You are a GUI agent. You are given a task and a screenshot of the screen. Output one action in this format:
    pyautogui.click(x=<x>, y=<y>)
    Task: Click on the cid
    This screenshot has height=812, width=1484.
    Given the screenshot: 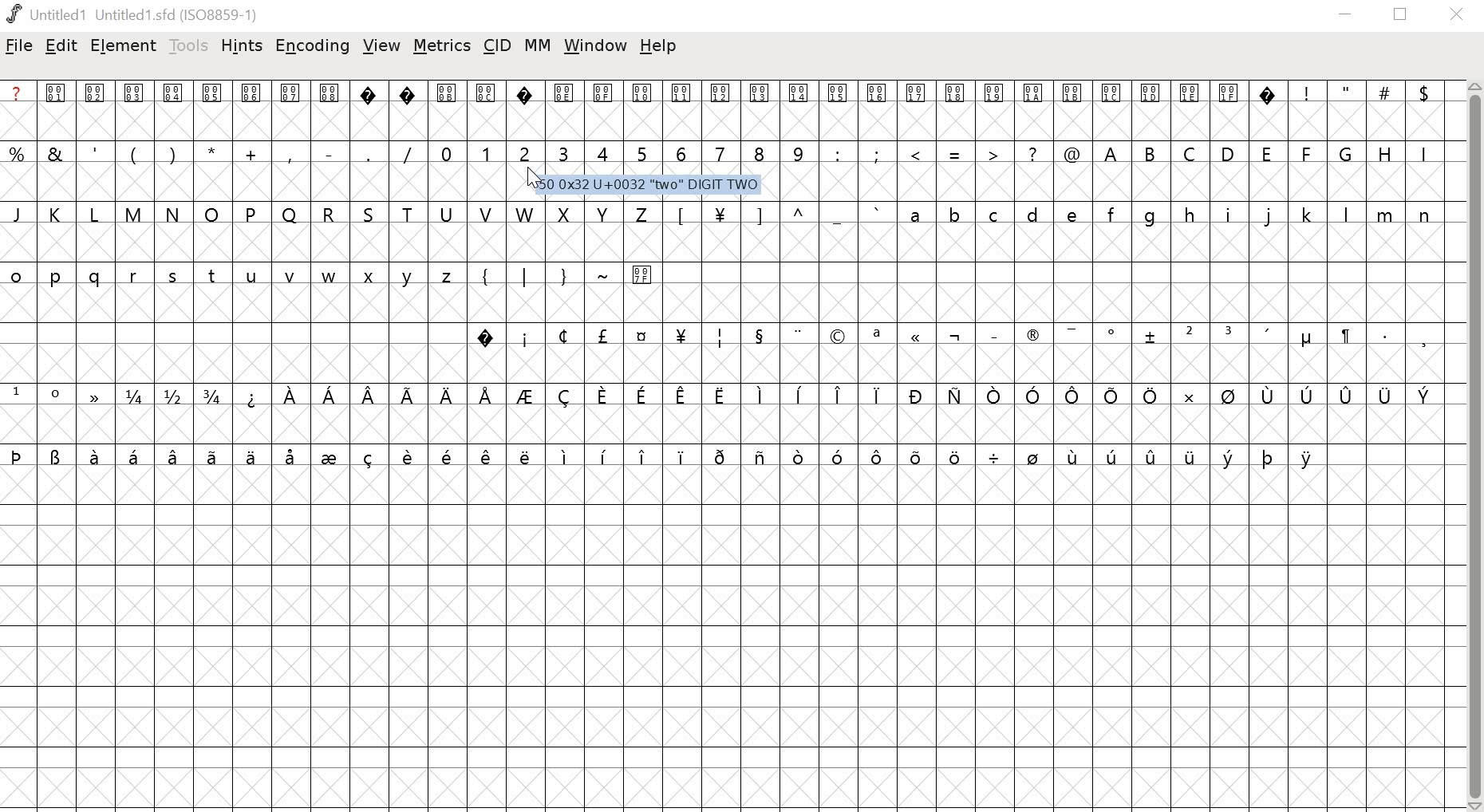 What is the action you would take?
    pyautogui.click(x=496, y=45)
    